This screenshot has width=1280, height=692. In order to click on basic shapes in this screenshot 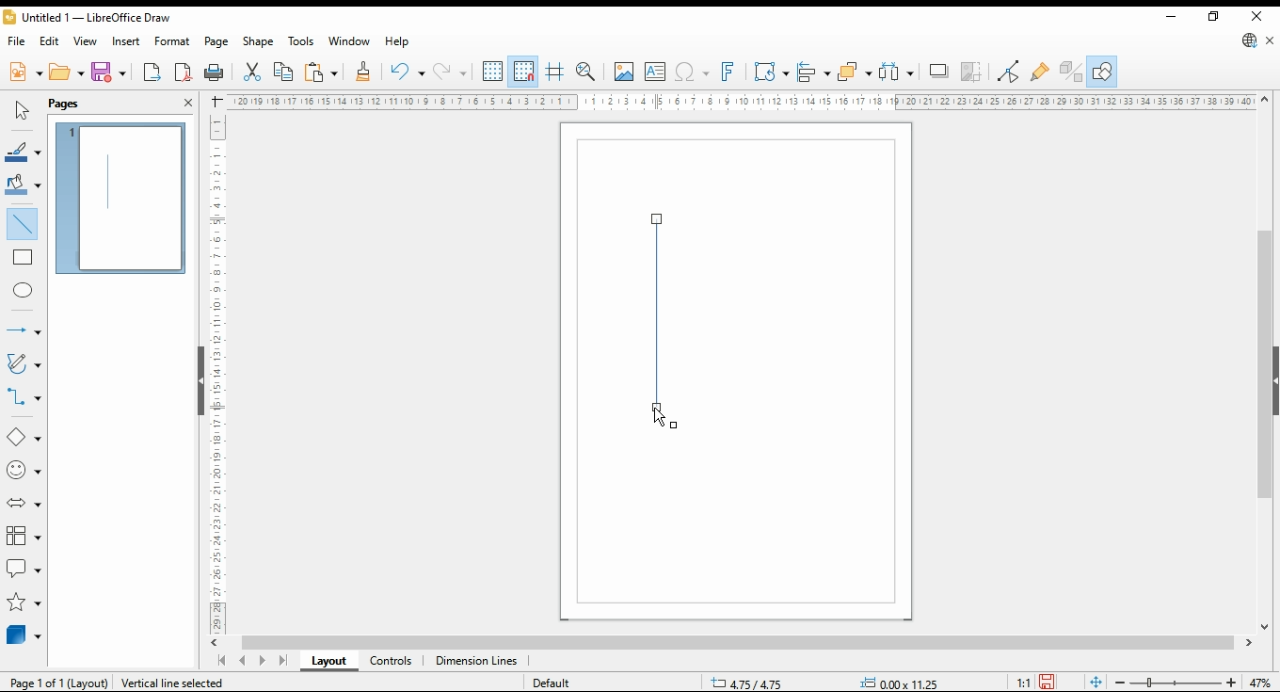, I will do `click(22, 437)`.